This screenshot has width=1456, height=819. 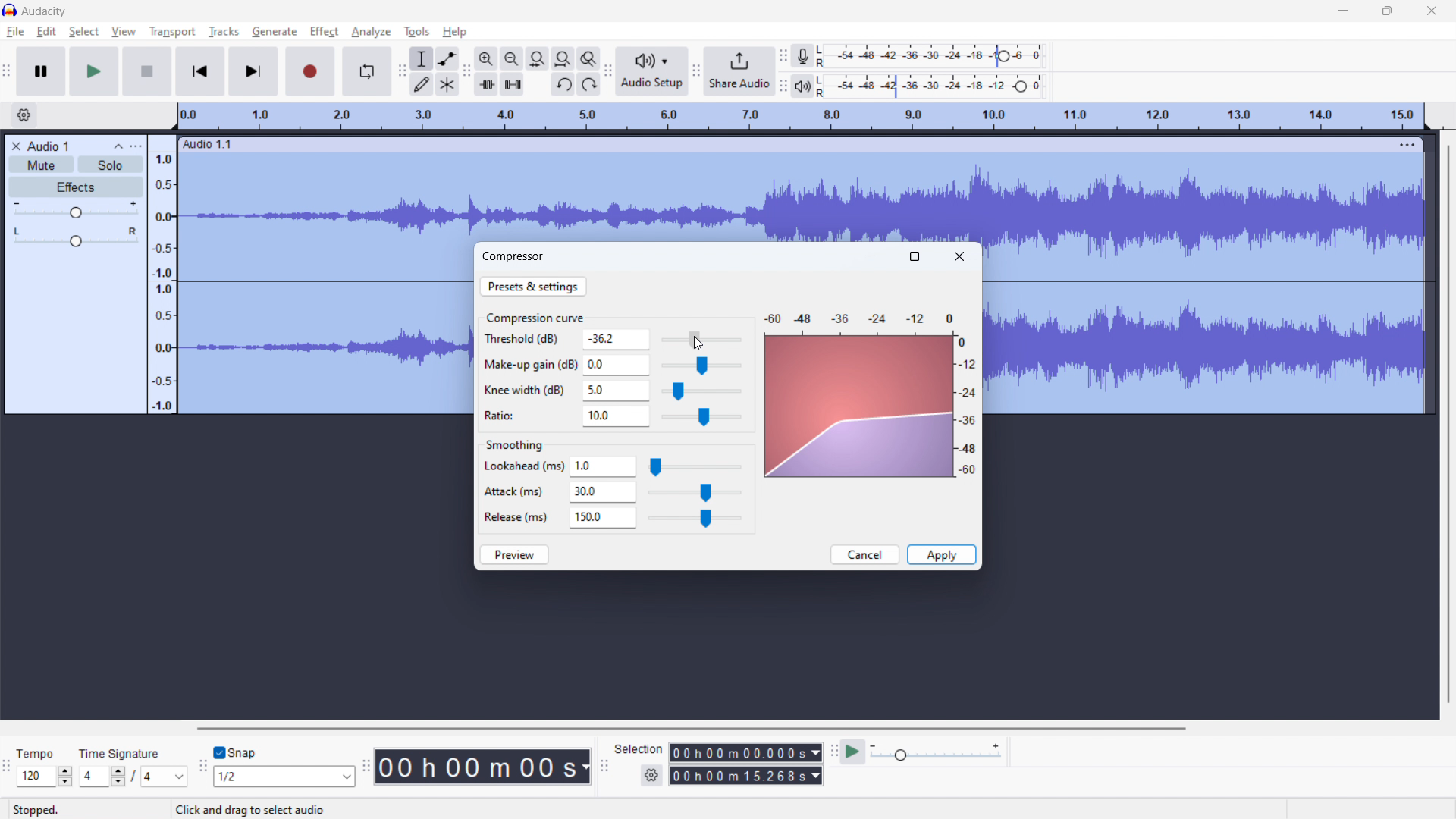 I want to click on envelop tool, so click(x=447, y=58).